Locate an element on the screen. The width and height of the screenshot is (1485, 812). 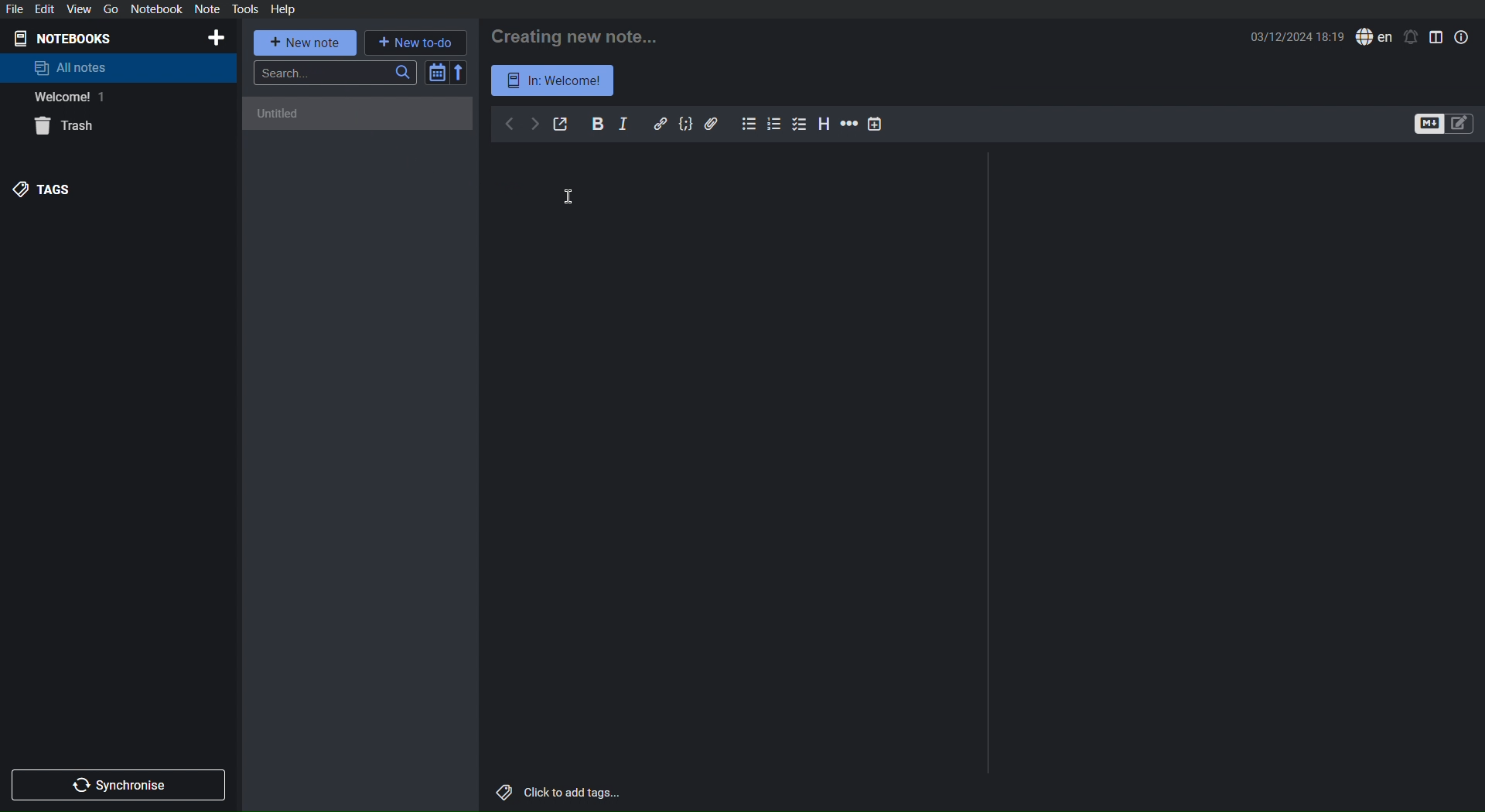
Go is located at coordinates (108, 9).